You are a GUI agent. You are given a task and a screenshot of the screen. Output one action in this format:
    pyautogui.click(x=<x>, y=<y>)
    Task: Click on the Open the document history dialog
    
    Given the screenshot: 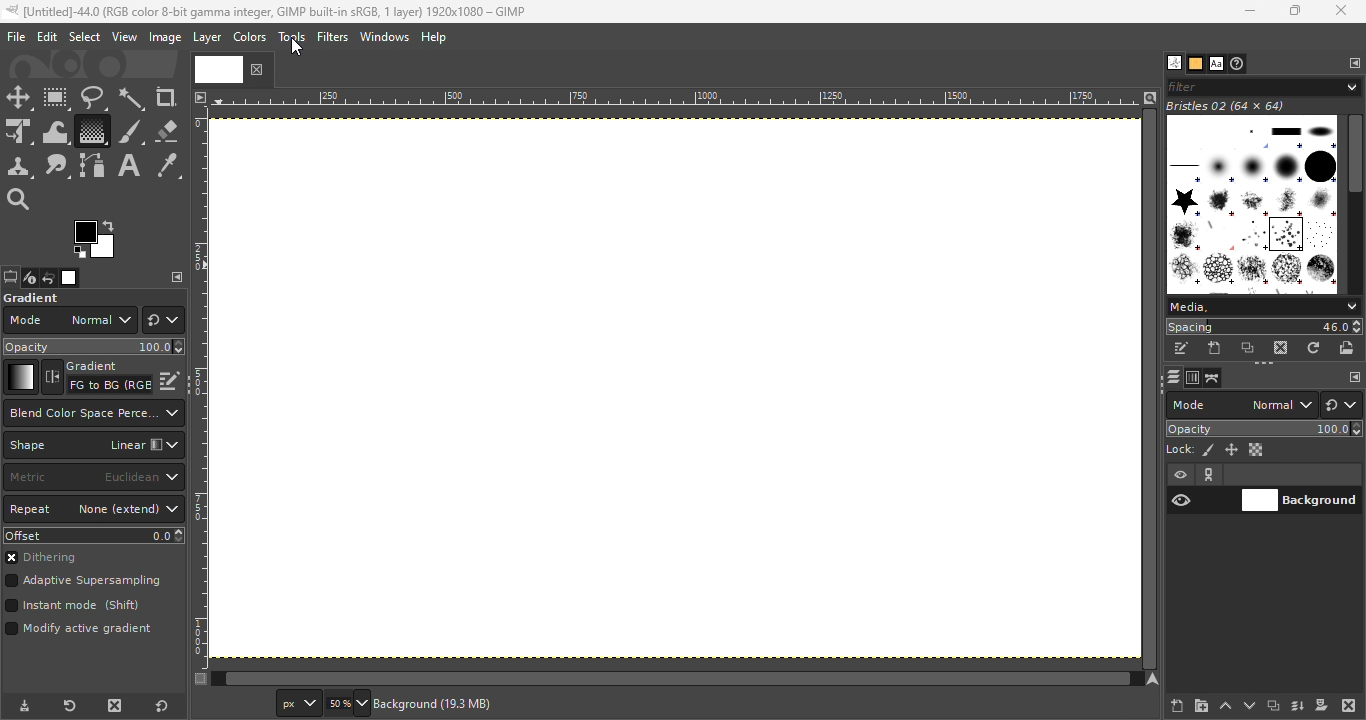 What is the action you would take?
    pyautogui.click(x=1239, y=64)
    